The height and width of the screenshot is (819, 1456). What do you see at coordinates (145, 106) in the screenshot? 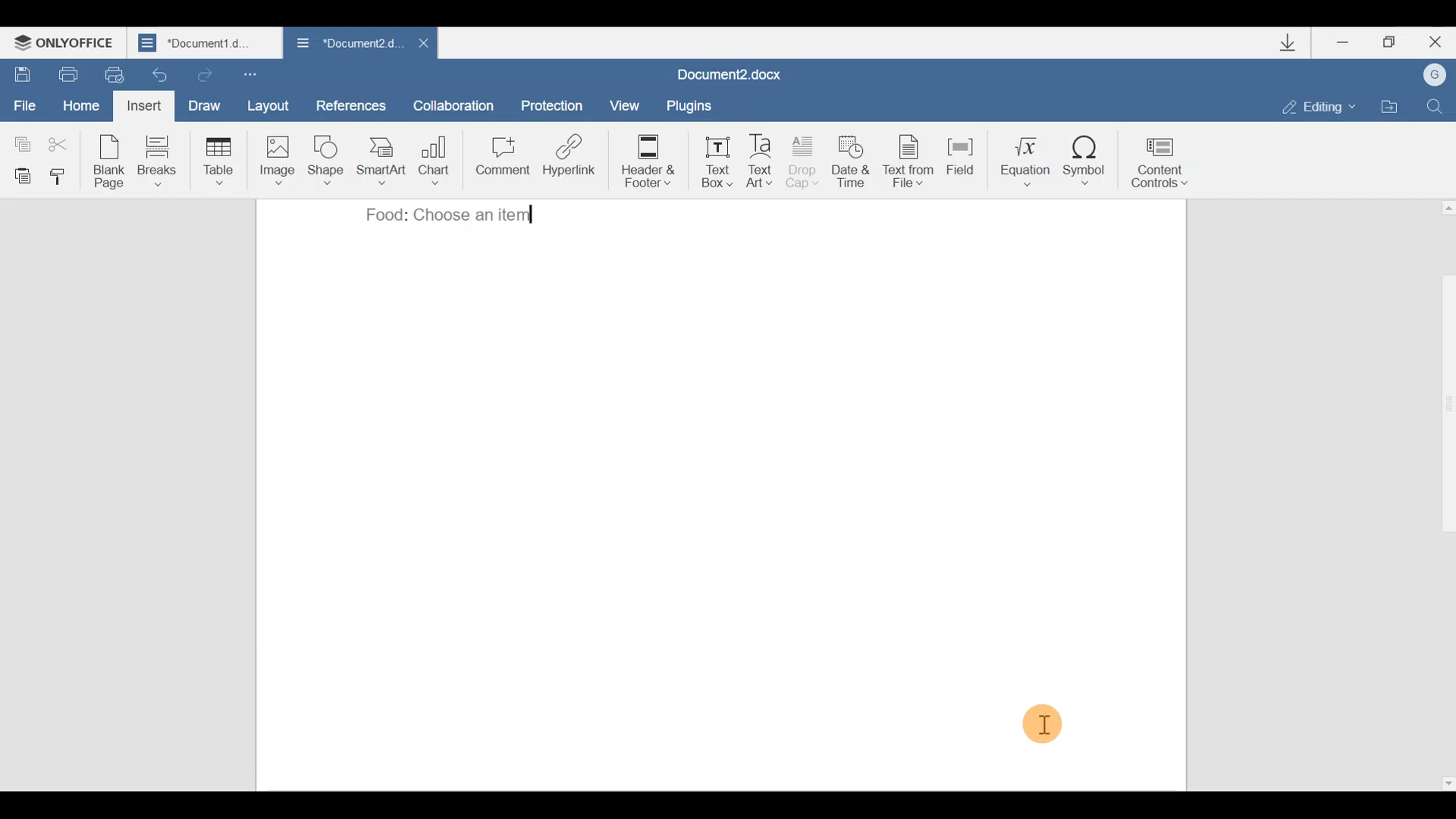
I see `Insert` at bounding box center [145, 106].